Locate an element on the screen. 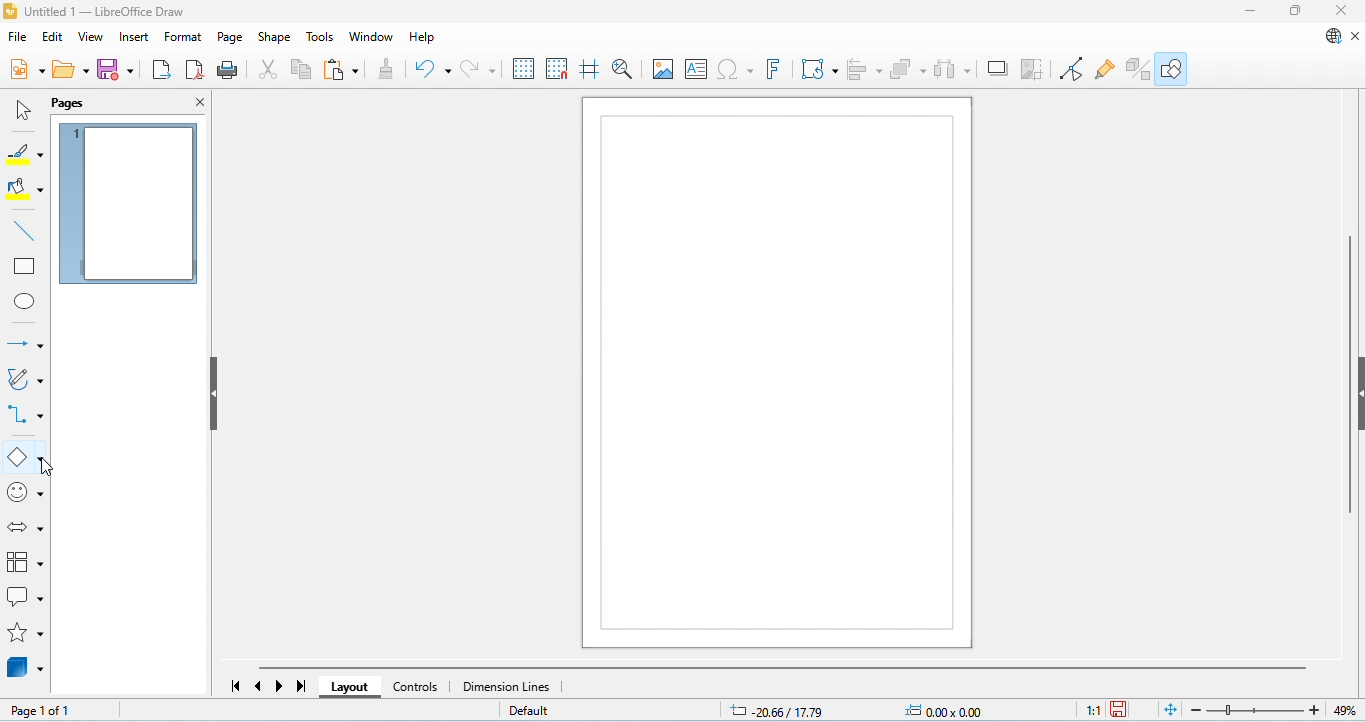  next page is located at coordinates (278, 686).